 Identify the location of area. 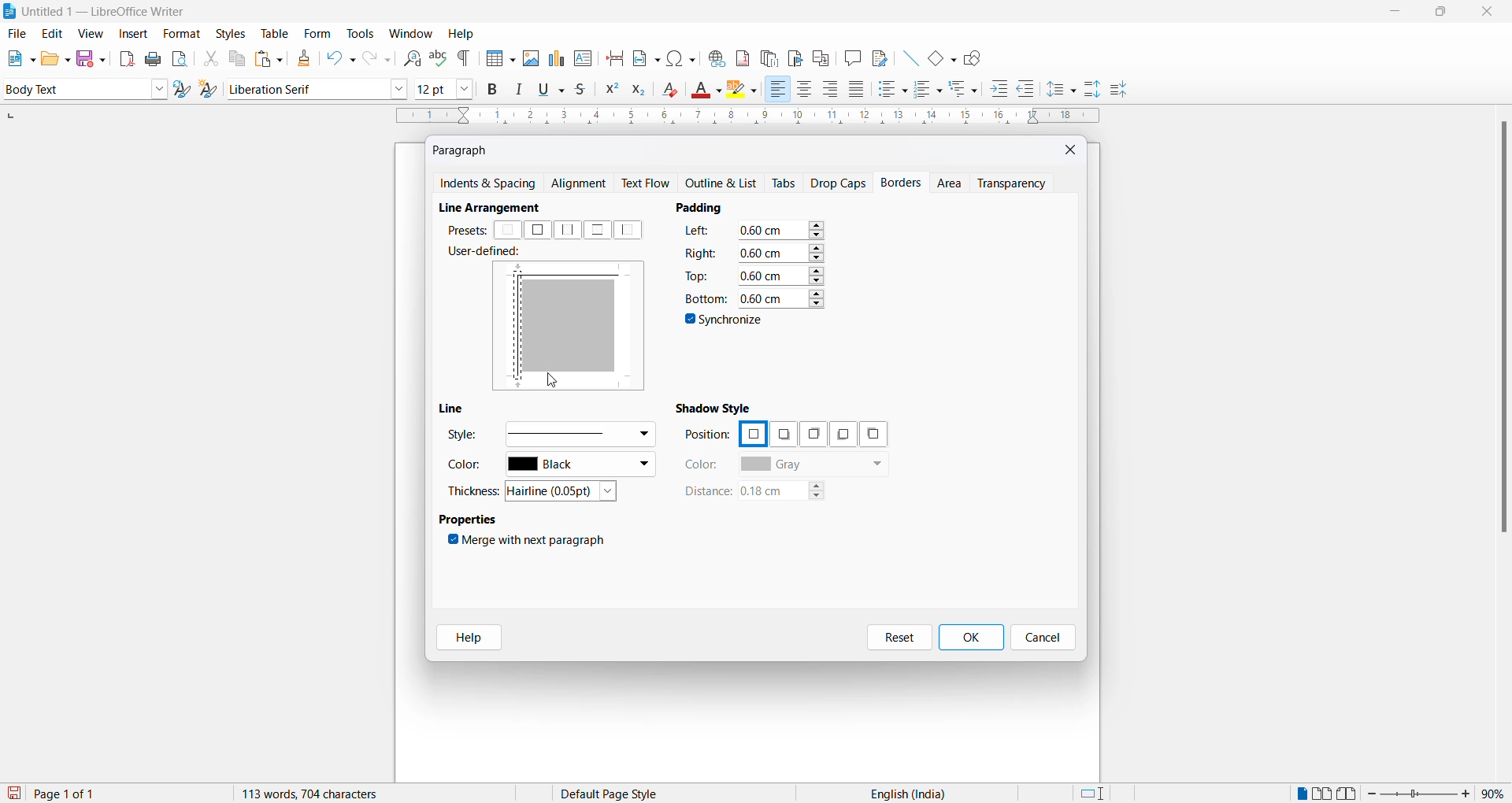
(951, 184).